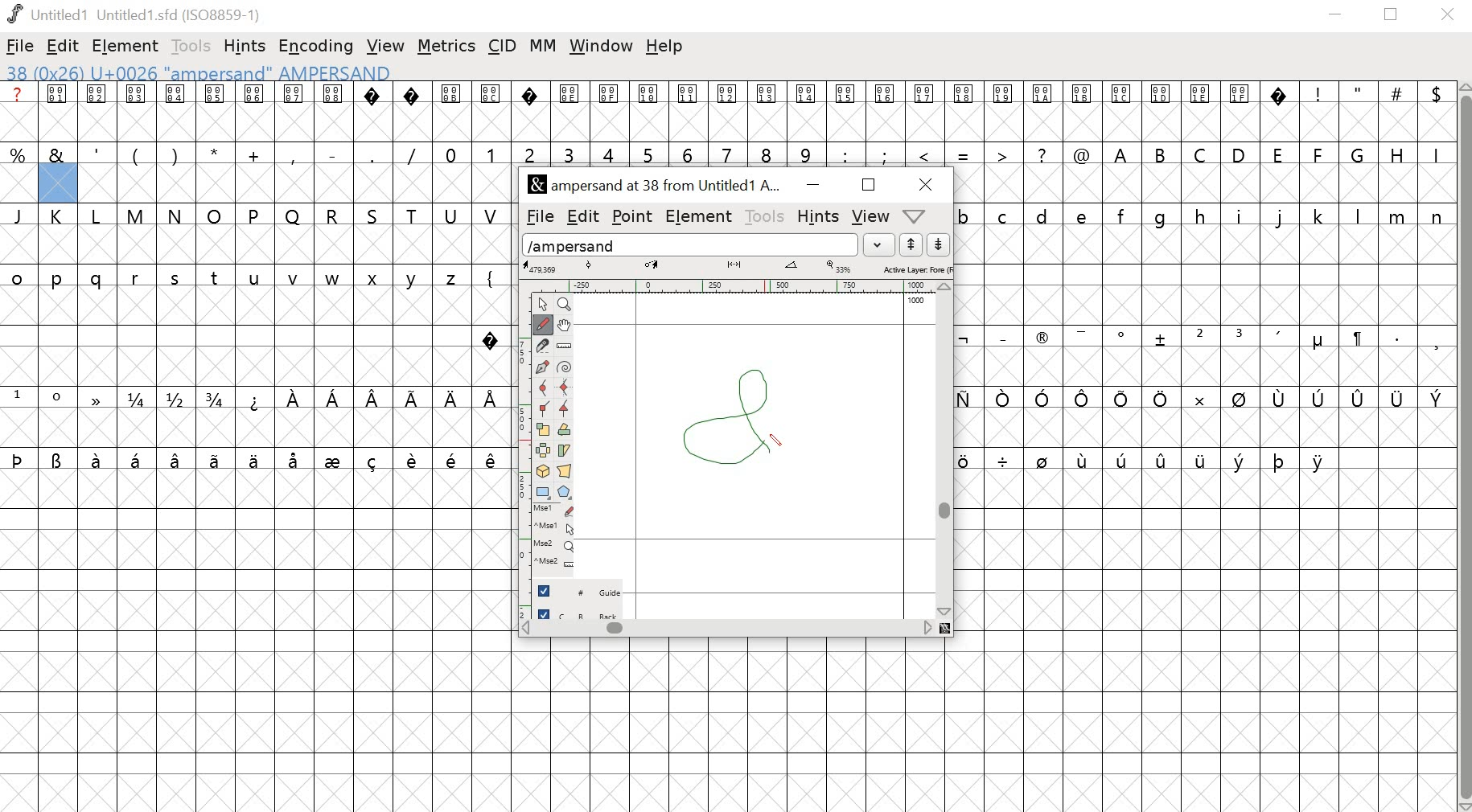  Describe the element at coordinates (542, 368) in the screenshot. I see `drag out its control points ` at that location.